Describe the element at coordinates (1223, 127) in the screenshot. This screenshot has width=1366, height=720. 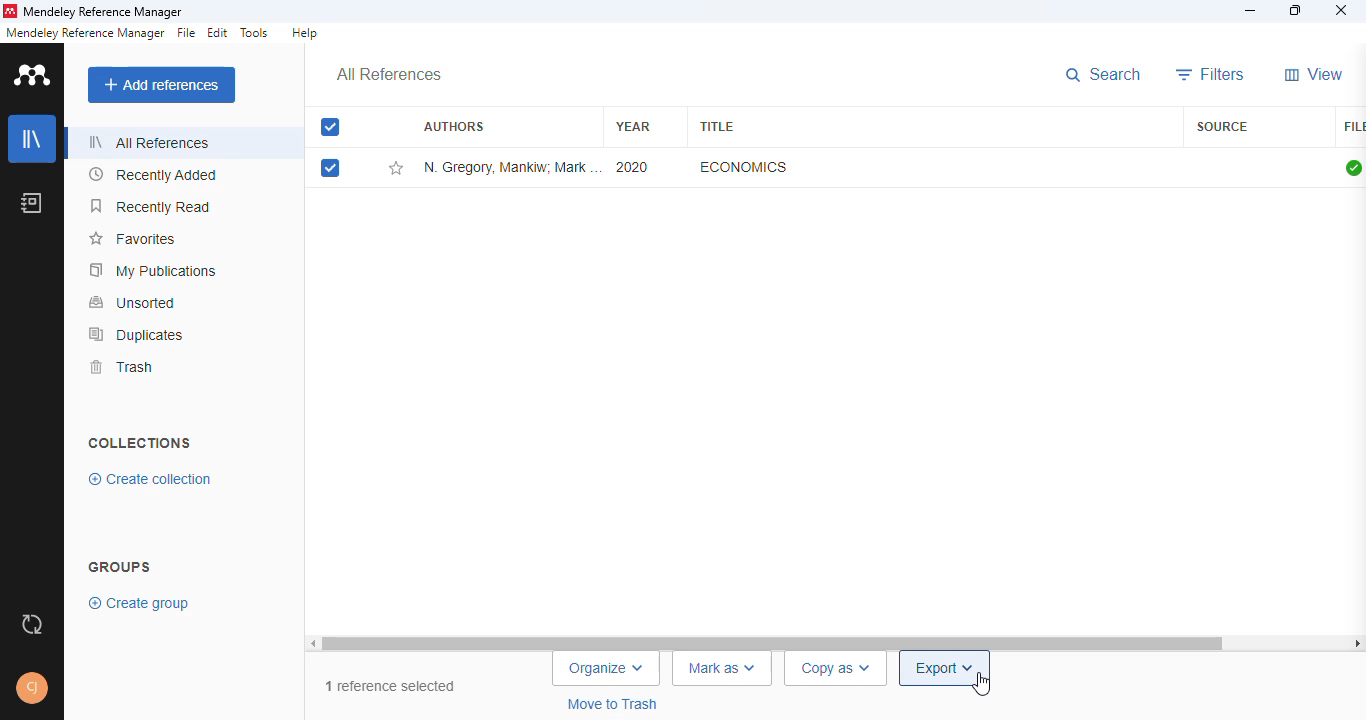
I see `source` at that location.